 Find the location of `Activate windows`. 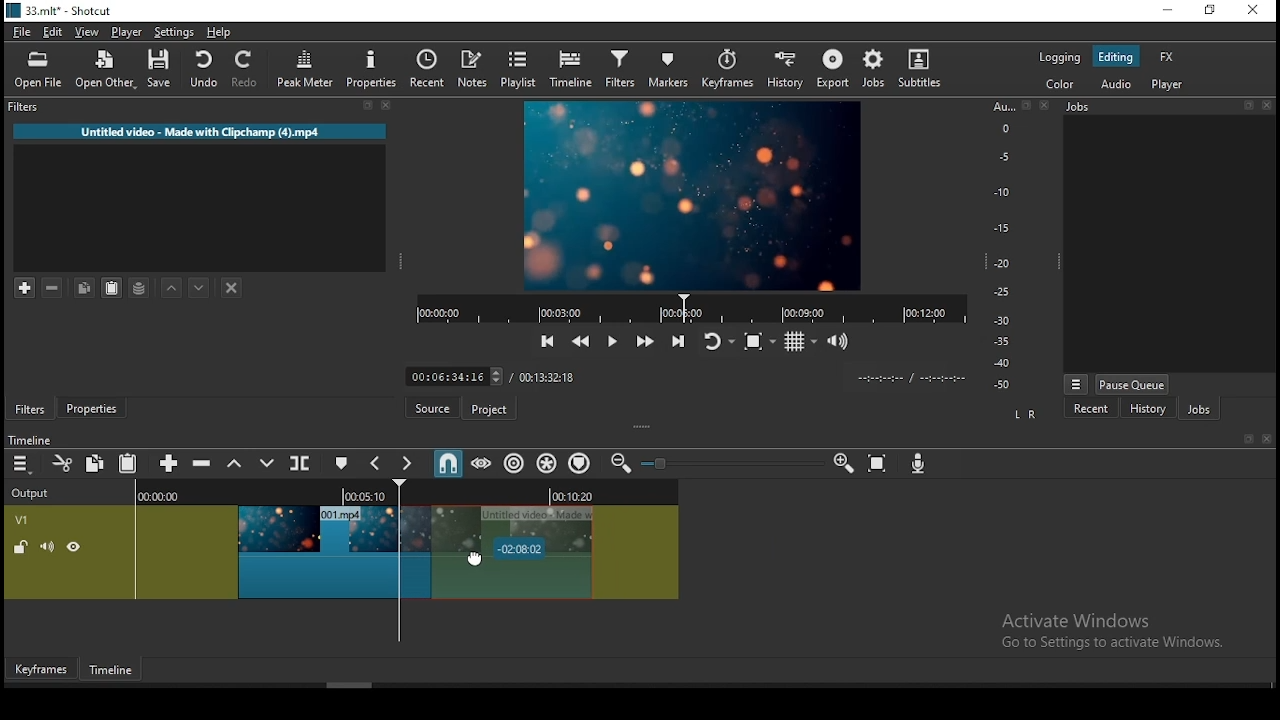

Activate windows is located at coordinates (1122, 630).